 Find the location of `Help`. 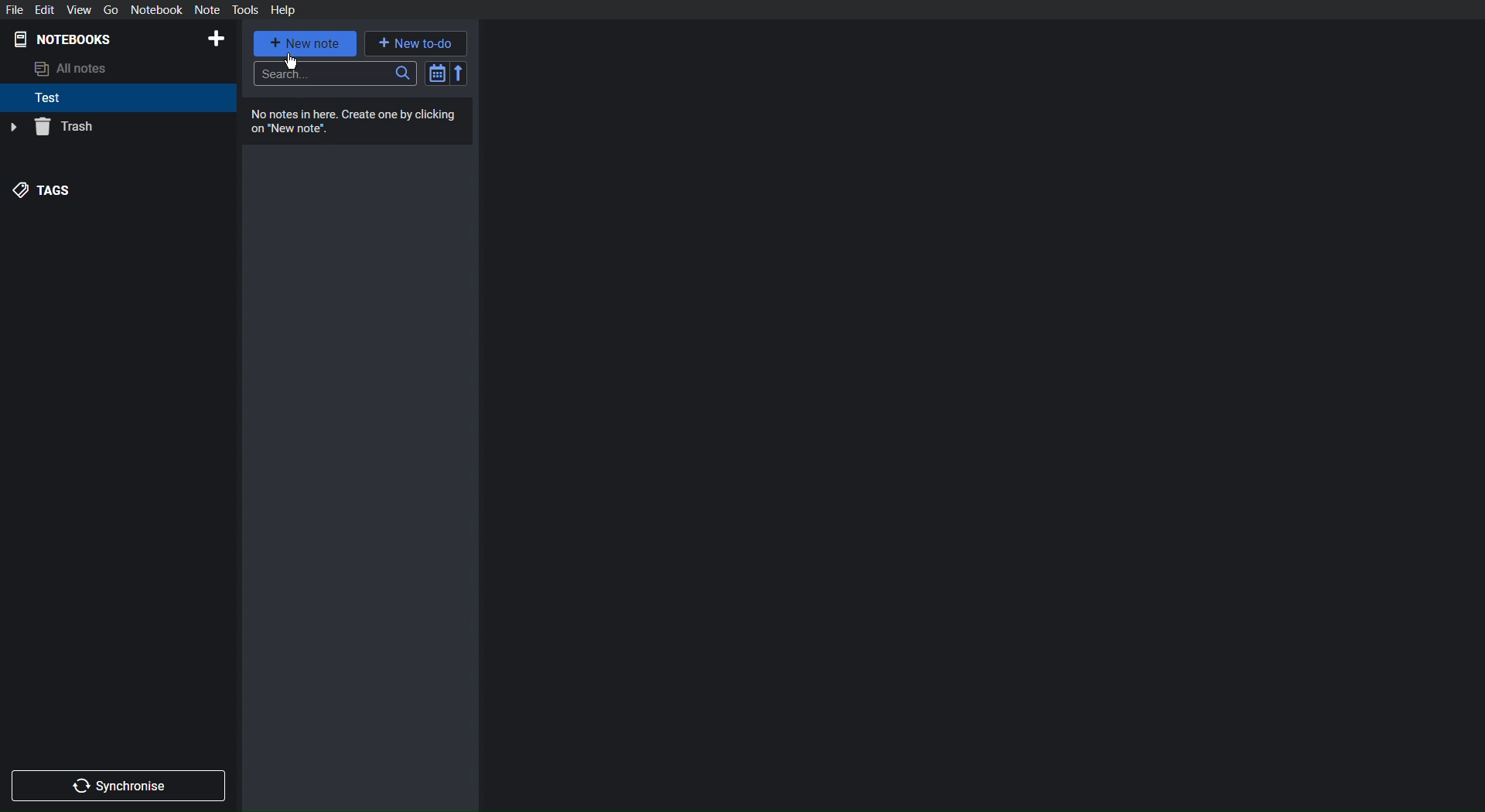

Help is located at coordinates (285, 10).